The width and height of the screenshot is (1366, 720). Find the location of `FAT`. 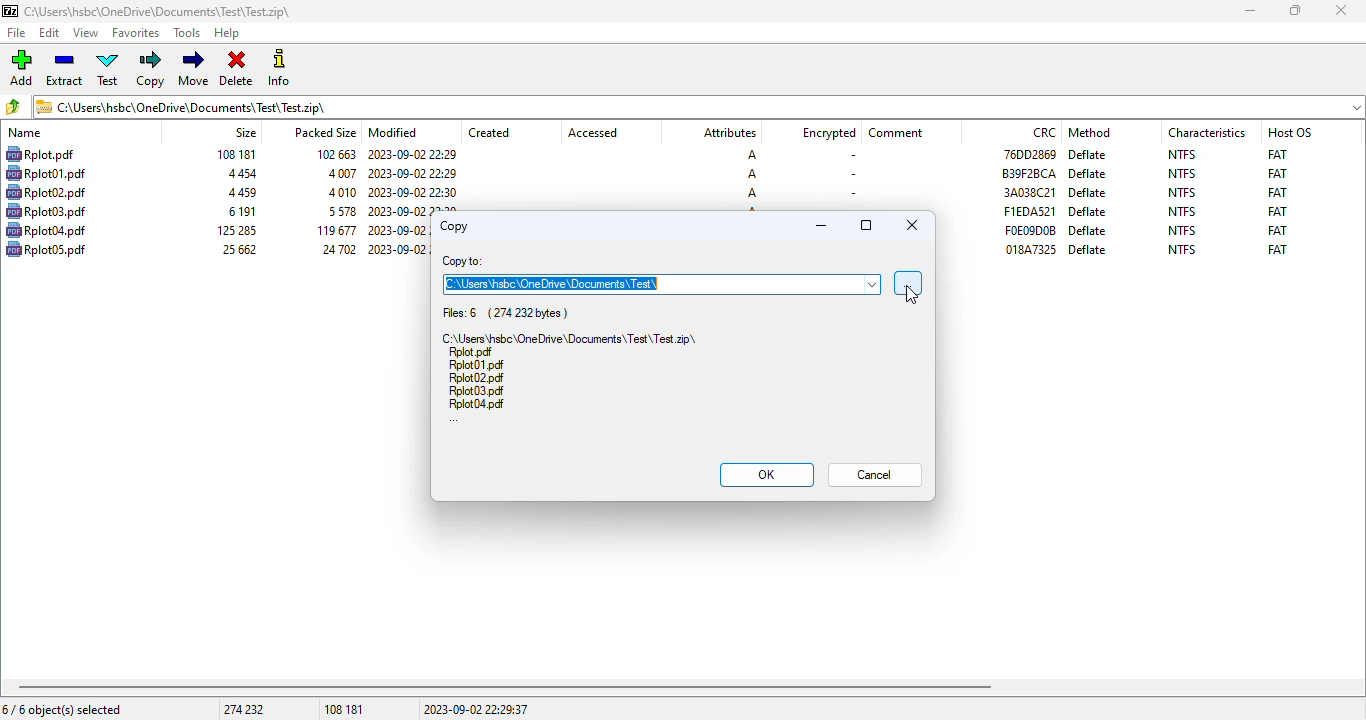

FAT is located at coordinates (1277, 249).